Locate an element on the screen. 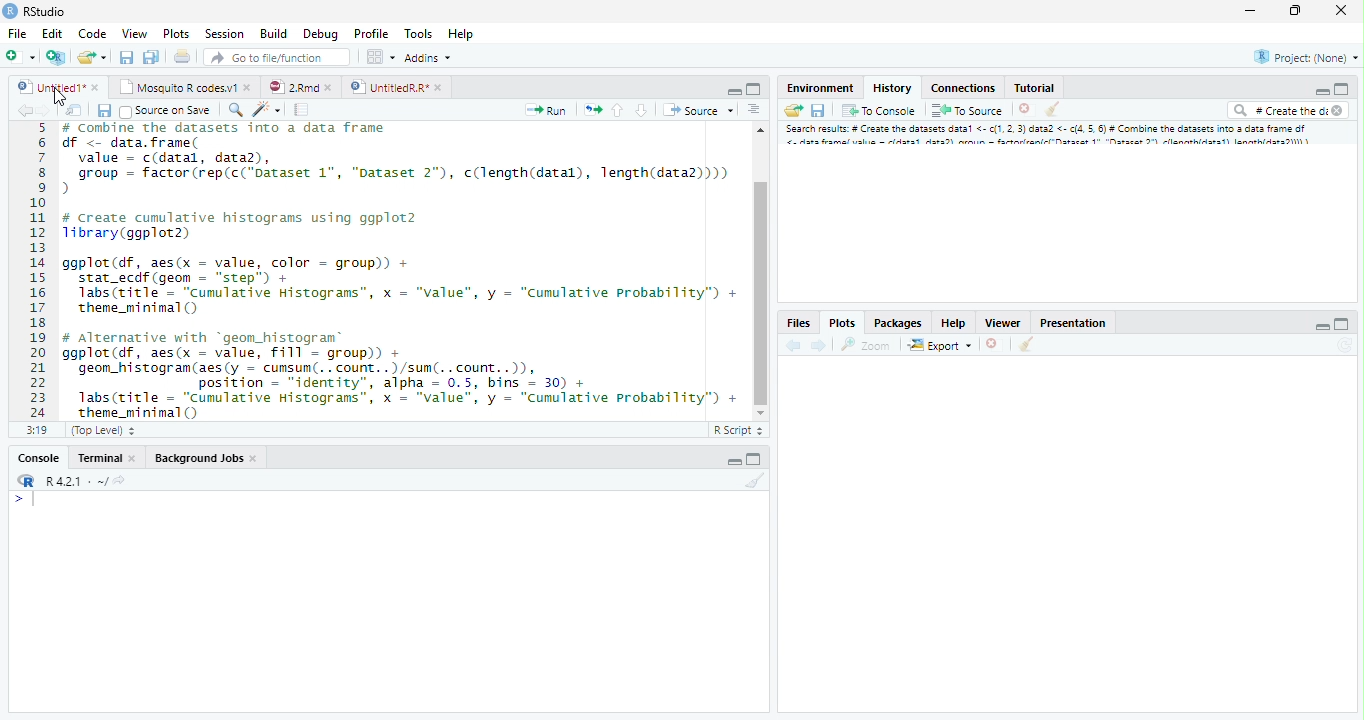  Export is located at coordinates (940, 345).